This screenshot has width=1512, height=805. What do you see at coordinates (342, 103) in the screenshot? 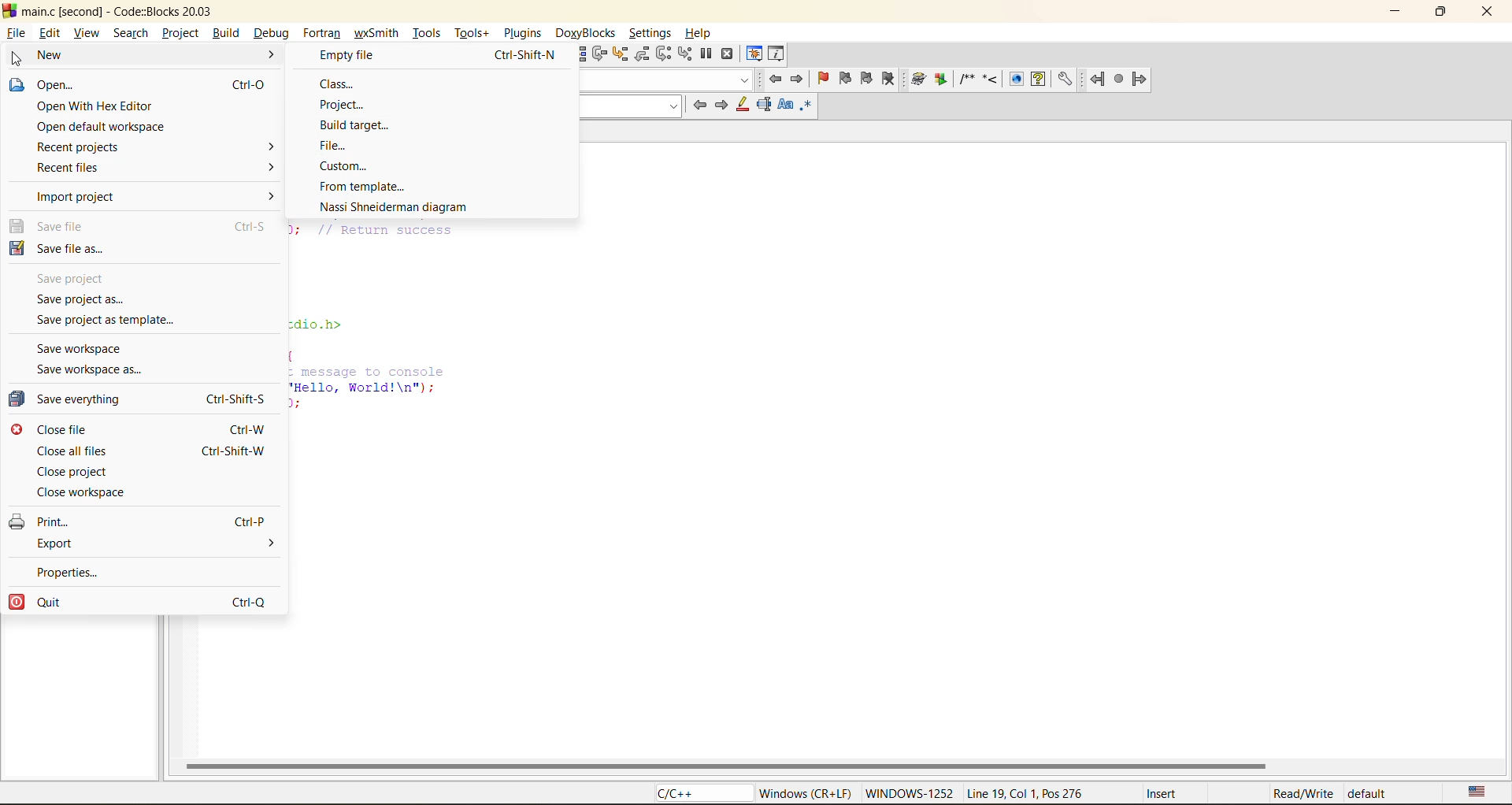
I see `project` at bounding box center [342, 103].